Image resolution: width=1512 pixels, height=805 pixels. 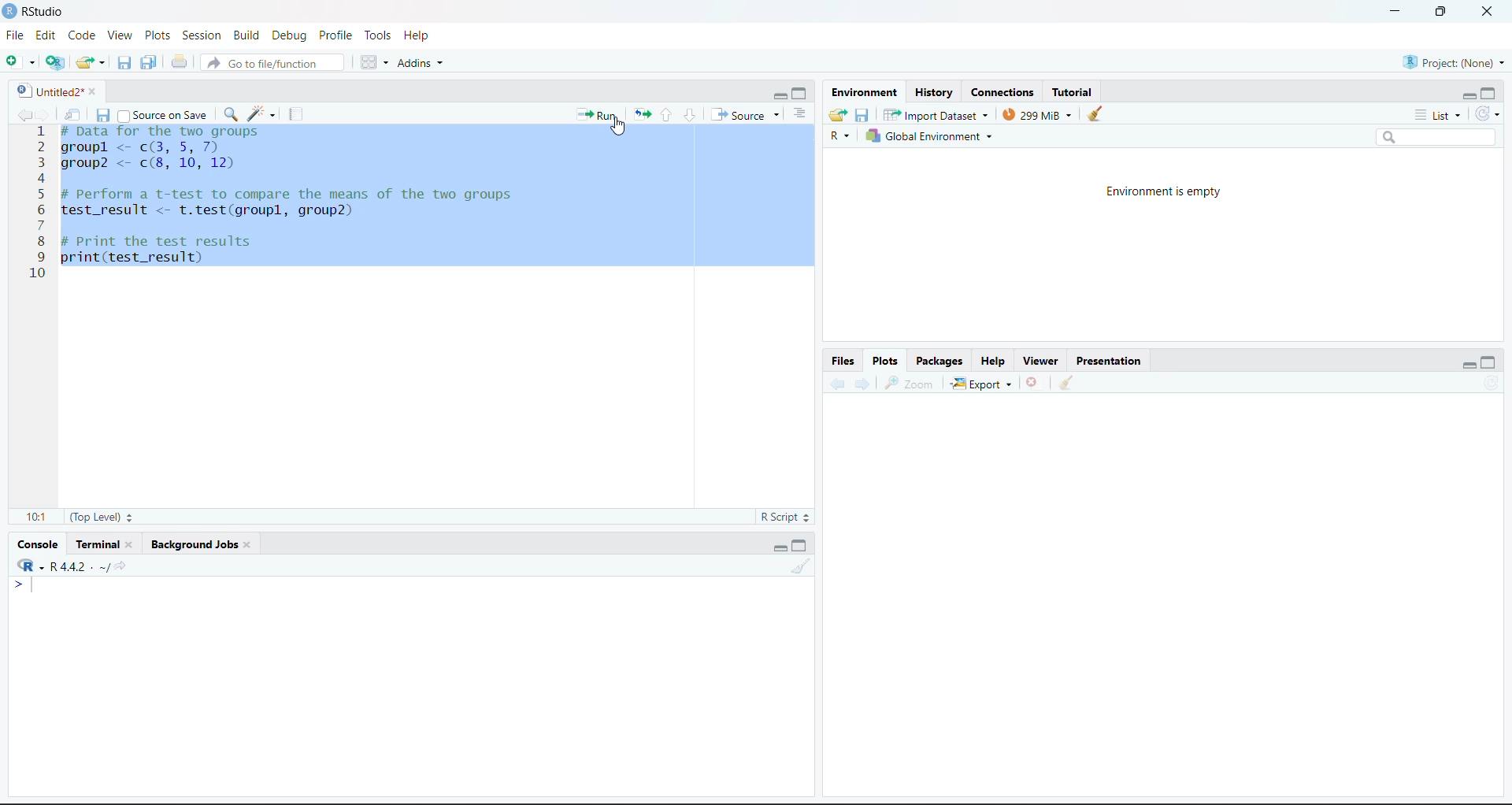 I want to click on view the current working directory, so click(x=122, y=565).